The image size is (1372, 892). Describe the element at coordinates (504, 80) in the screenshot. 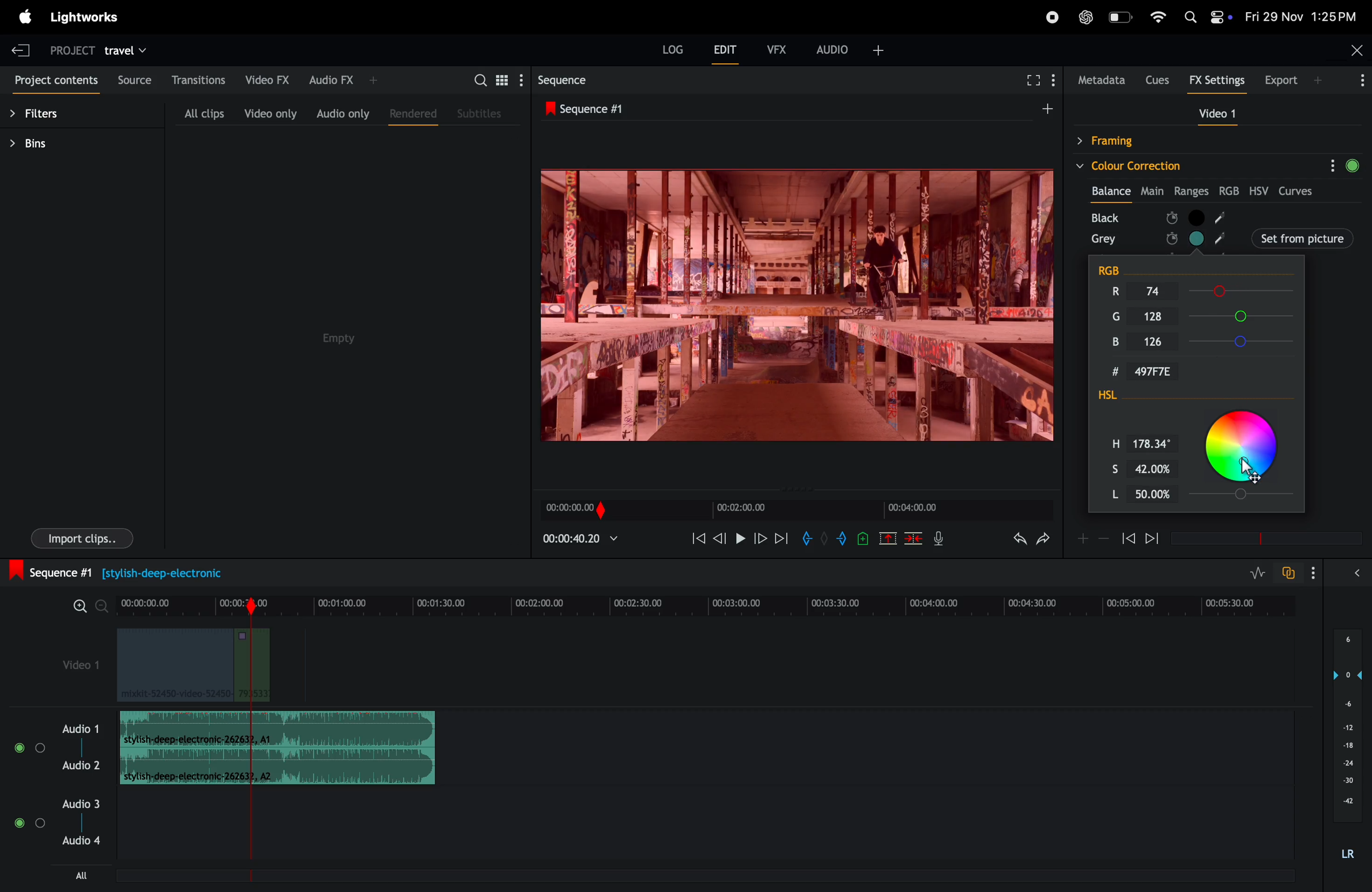

I see `toggle between list view` at that location.